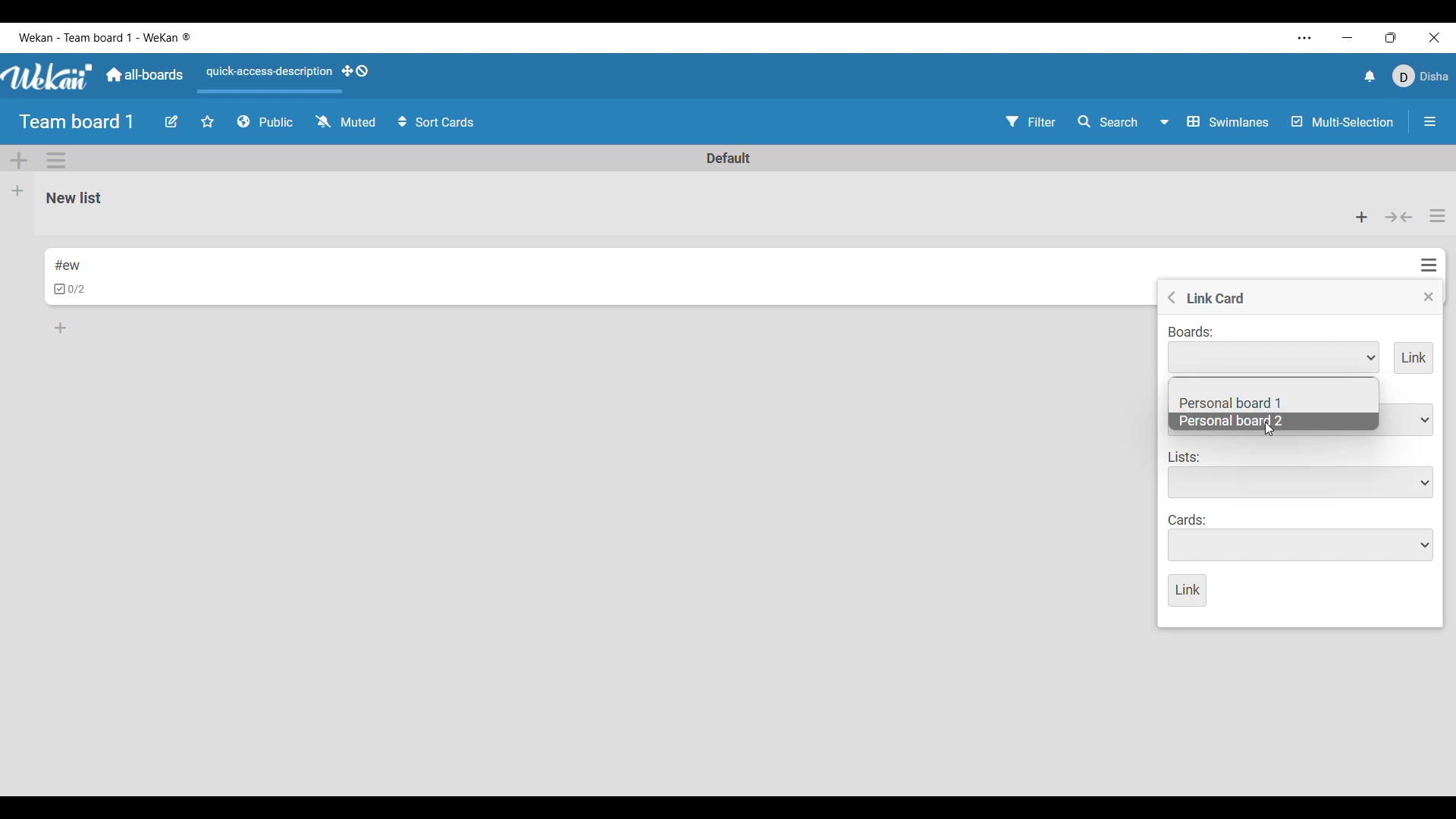 The width and height of the screenshot is (1456, 819). What do you see at coordinates (74, 199) in the screenshot?
I see `List name` at bounding box center [74, 199].